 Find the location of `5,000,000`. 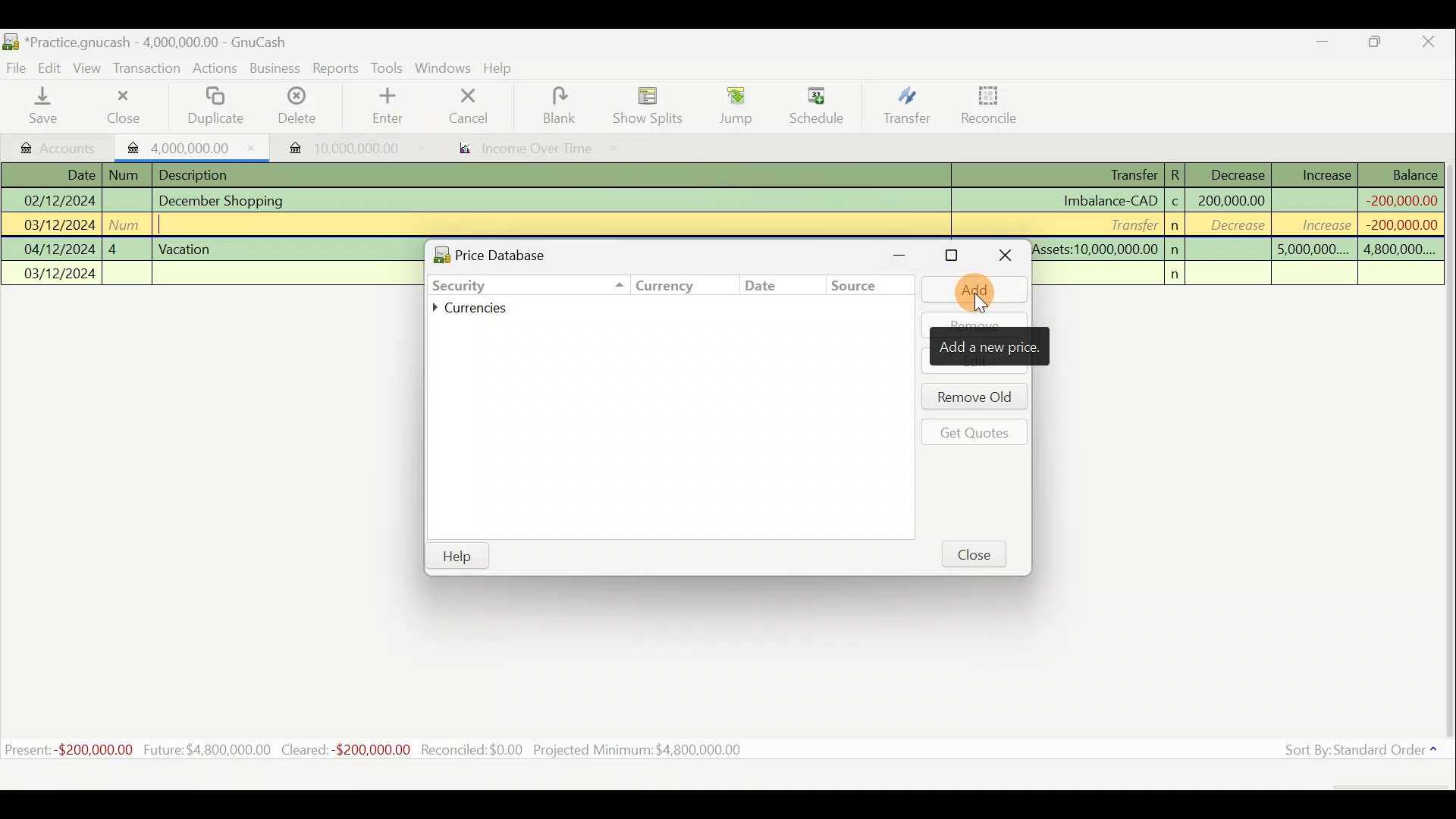

5,000,000 is located at coordinates (1313, 252).